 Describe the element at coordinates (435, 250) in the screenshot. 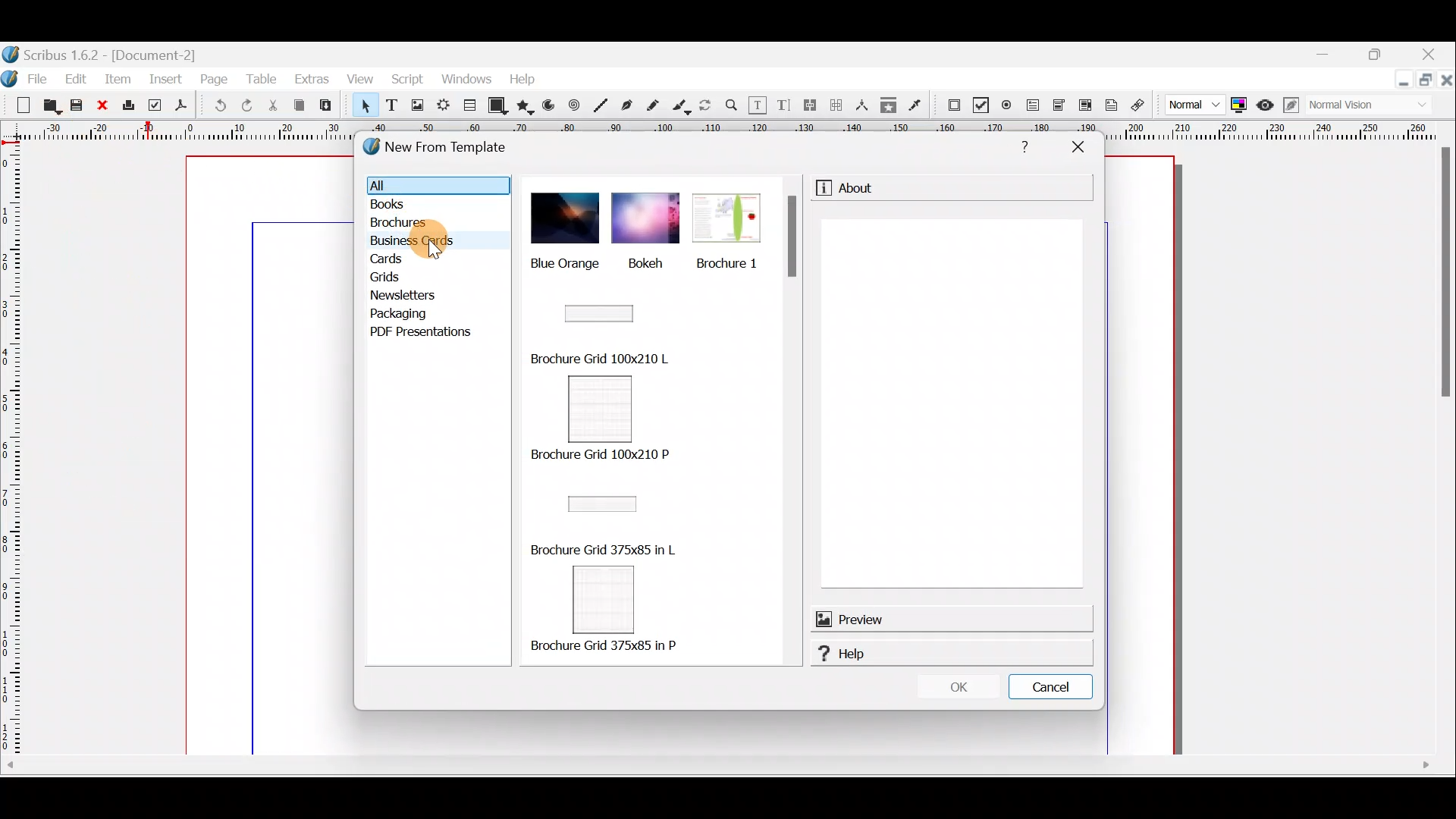

I see `cursor` at that location.